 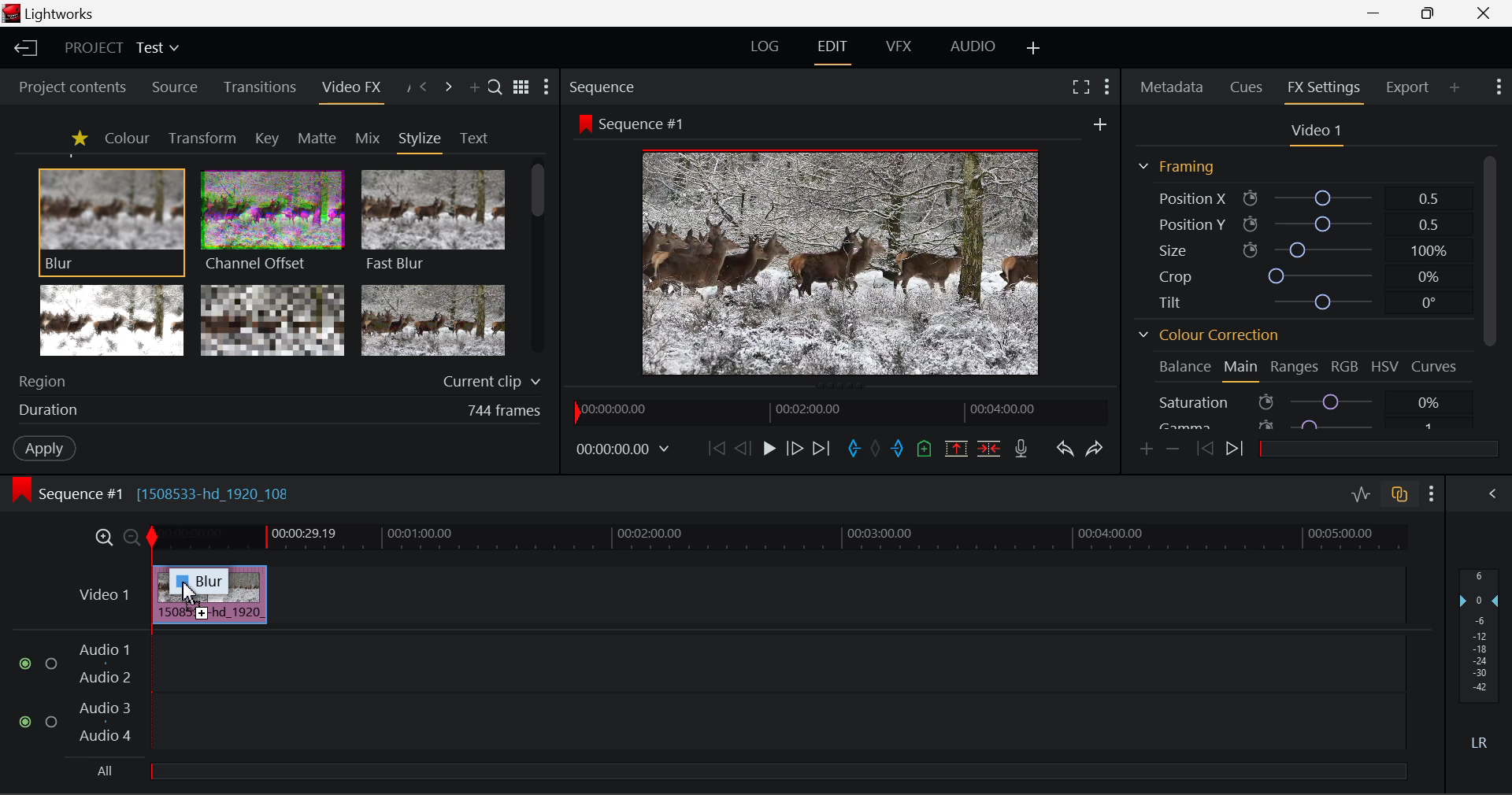 What do you see at coordinates (273, 383) in the screenshot?
I see `Region of Effect` at bounding box center [273, 383].